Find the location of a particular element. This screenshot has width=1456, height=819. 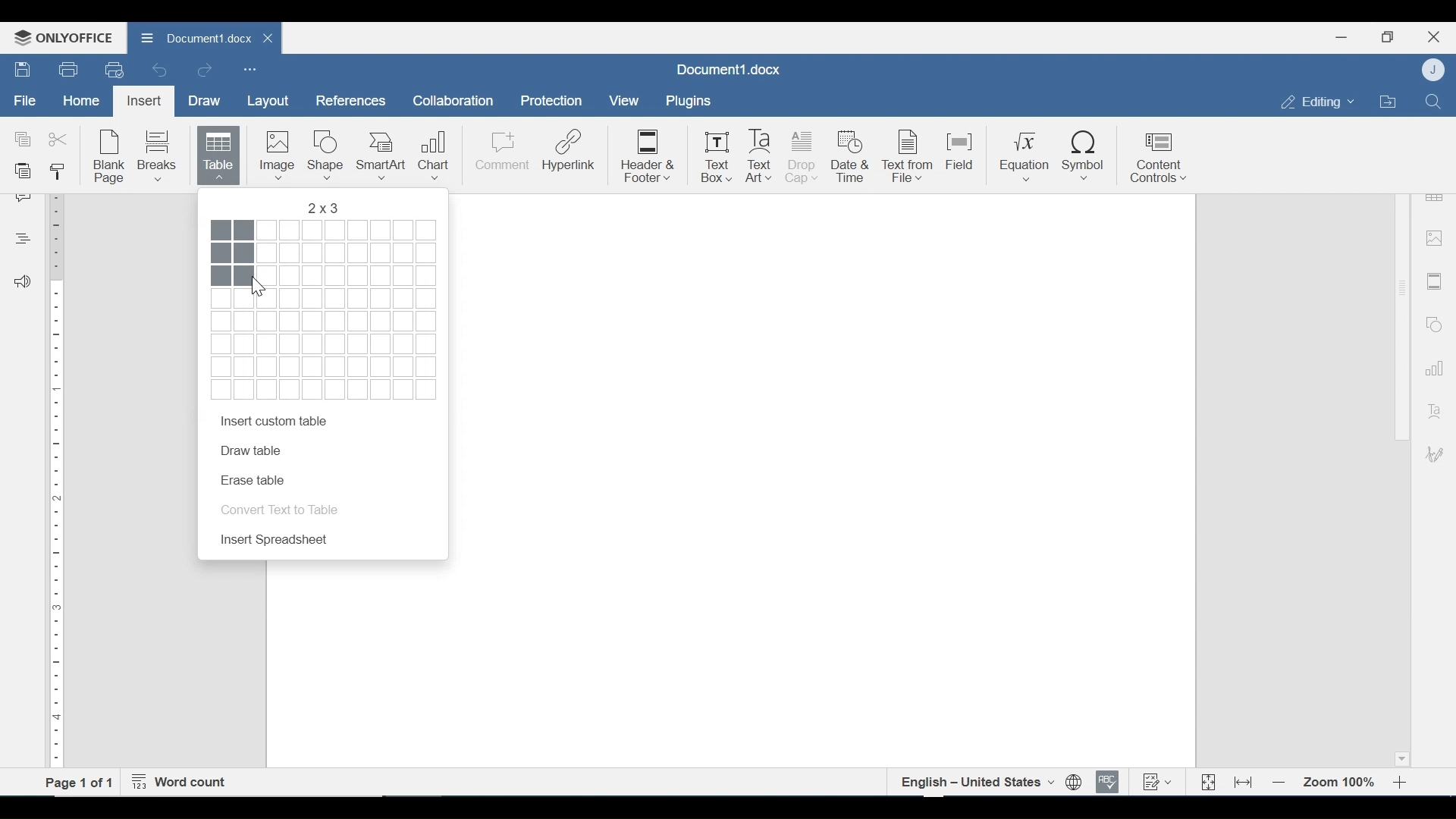

Header and Footer is located at coordinates (1435, 282).